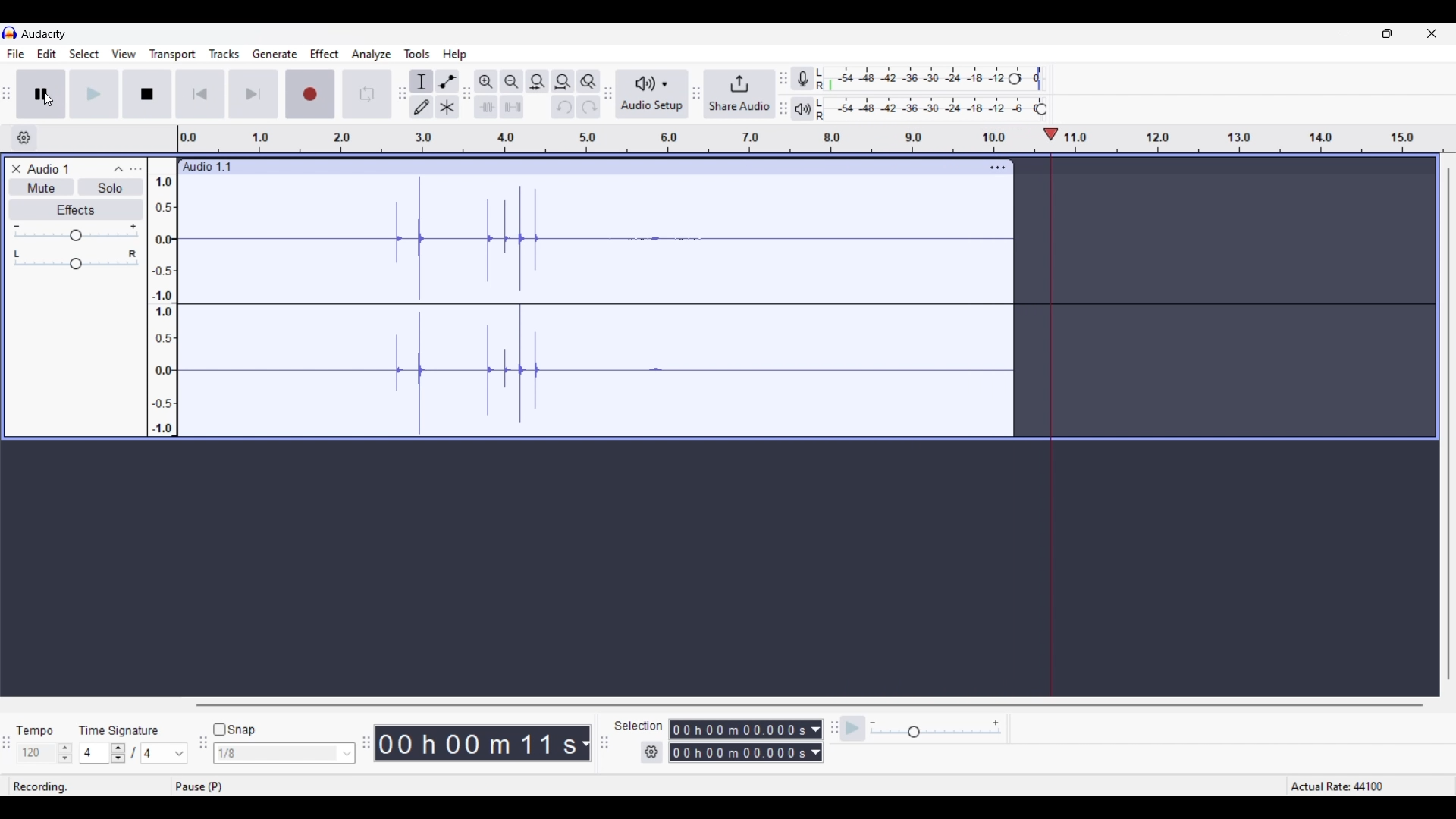 The width and height of the screenshot is (1456, 819). Describe the element at coordinates (998, 168) in the screenshot. I see `Track settings` at that location.